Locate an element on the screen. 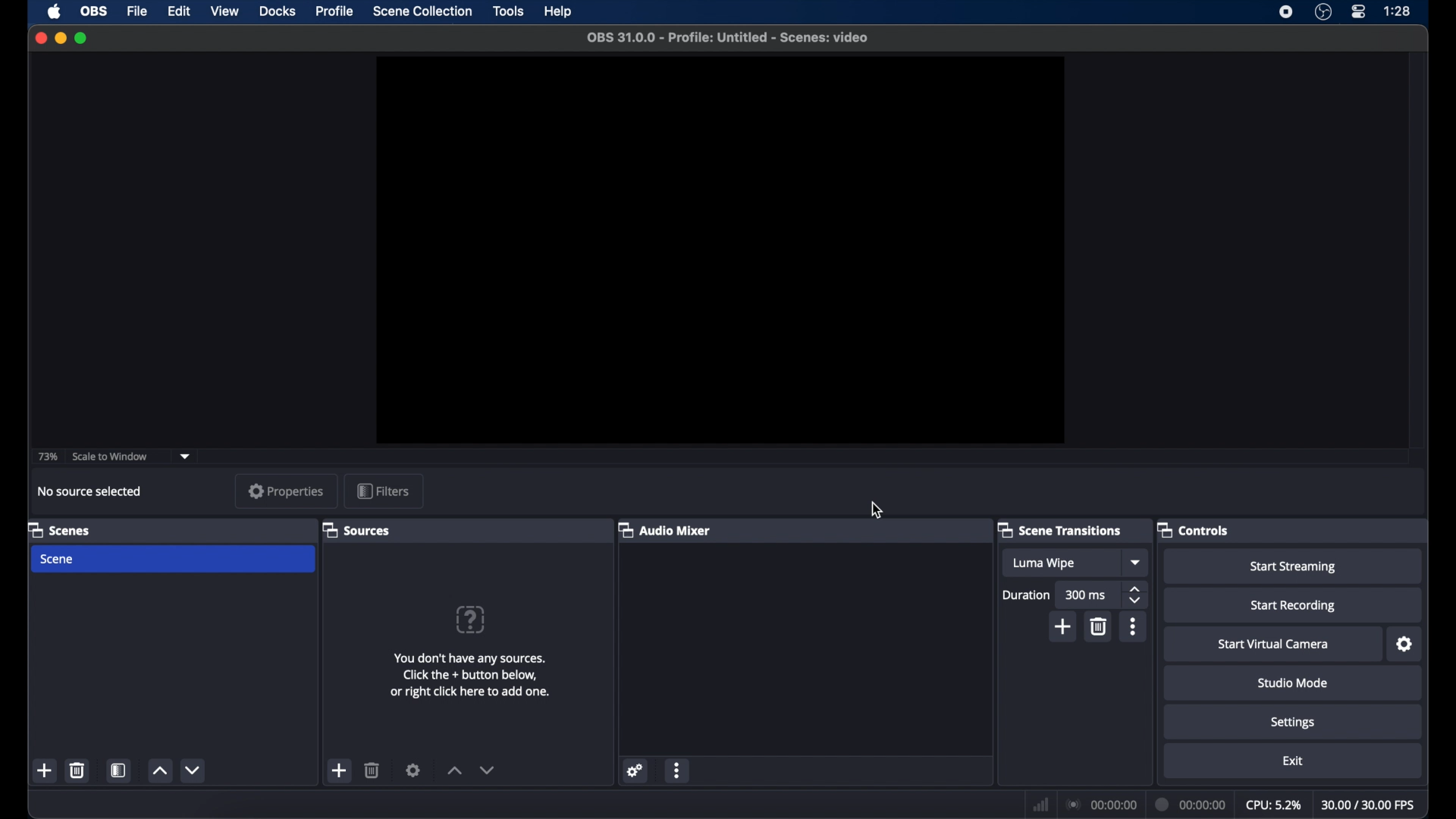 The width and height of the screenshot is (1456, 819). dropdown is located at coordinates (185, 457).